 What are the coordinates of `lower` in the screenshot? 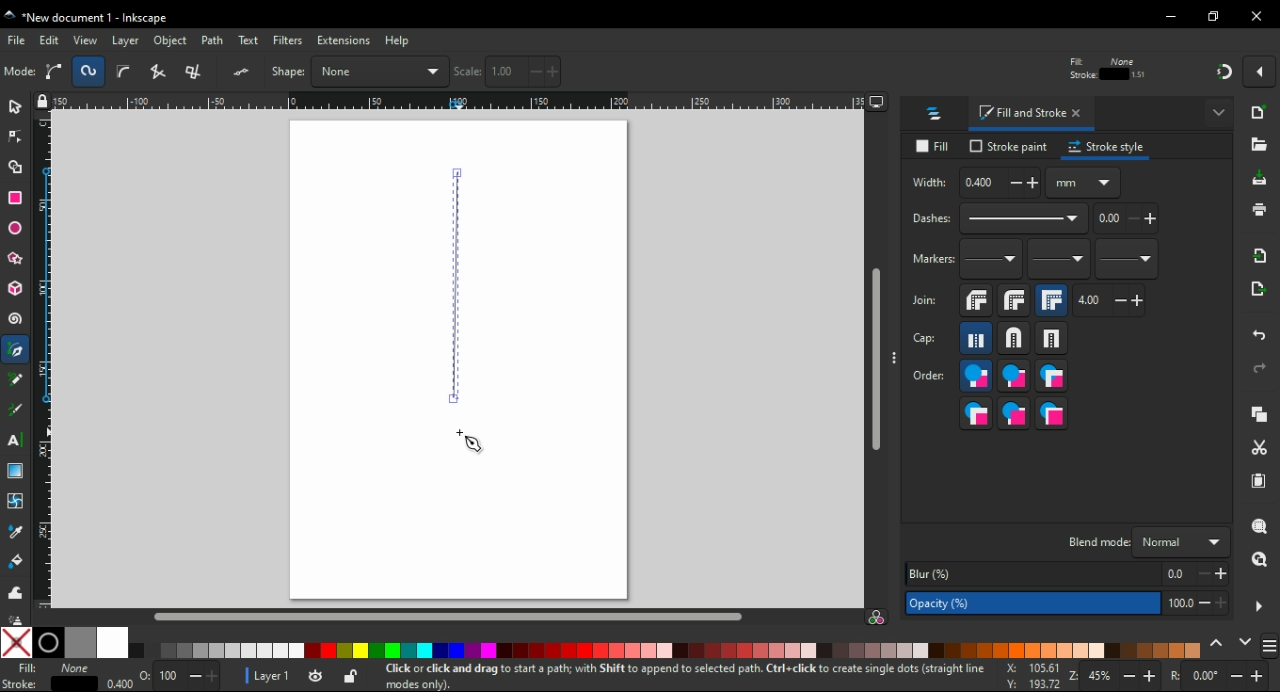 It's located at (394, 72).